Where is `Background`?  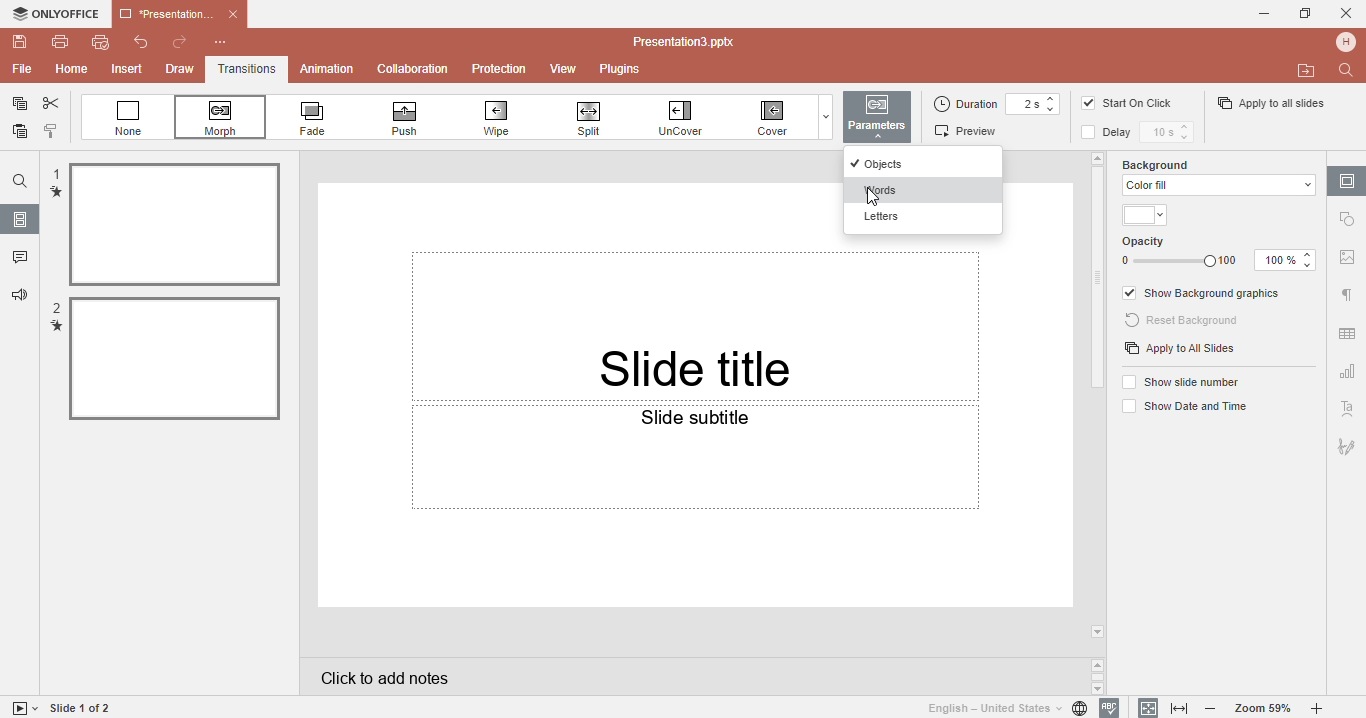 Background is located at coordinates (1172, 163).